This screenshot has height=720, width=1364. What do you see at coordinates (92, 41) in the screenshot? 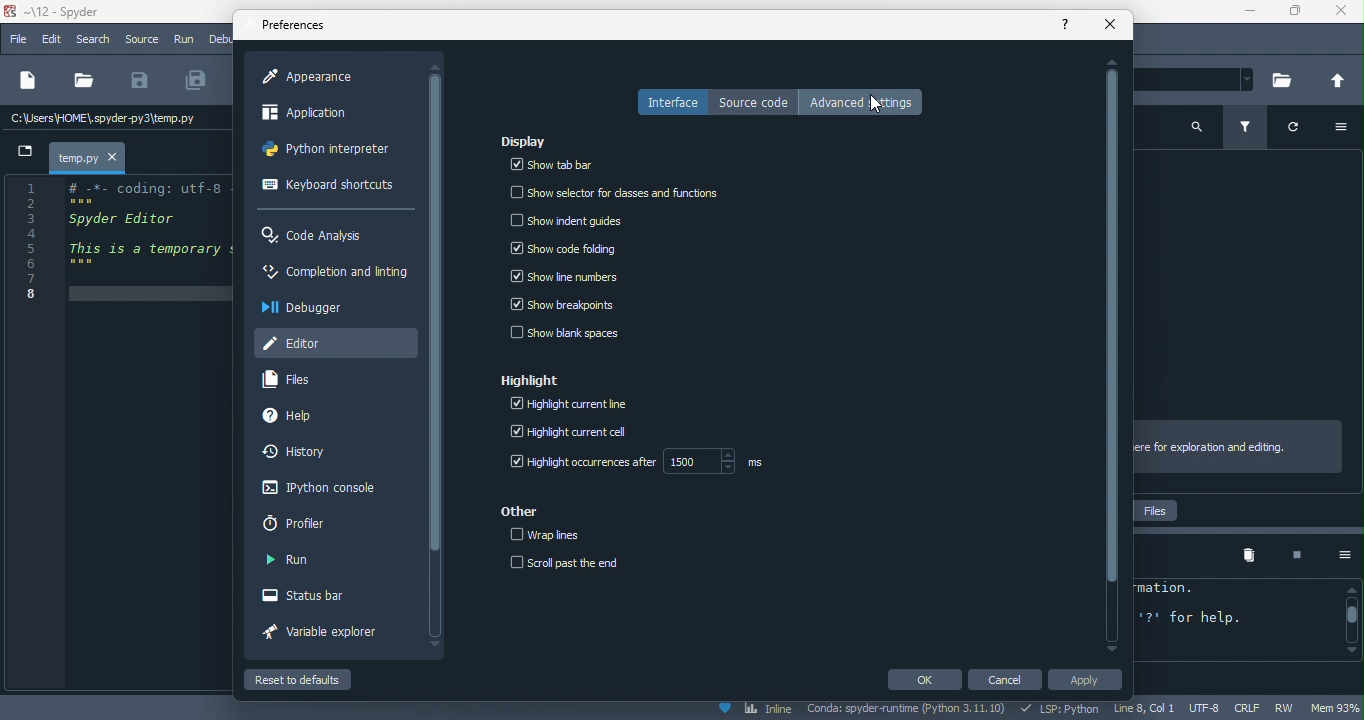
I see `search` at bounding box center [92, 41].